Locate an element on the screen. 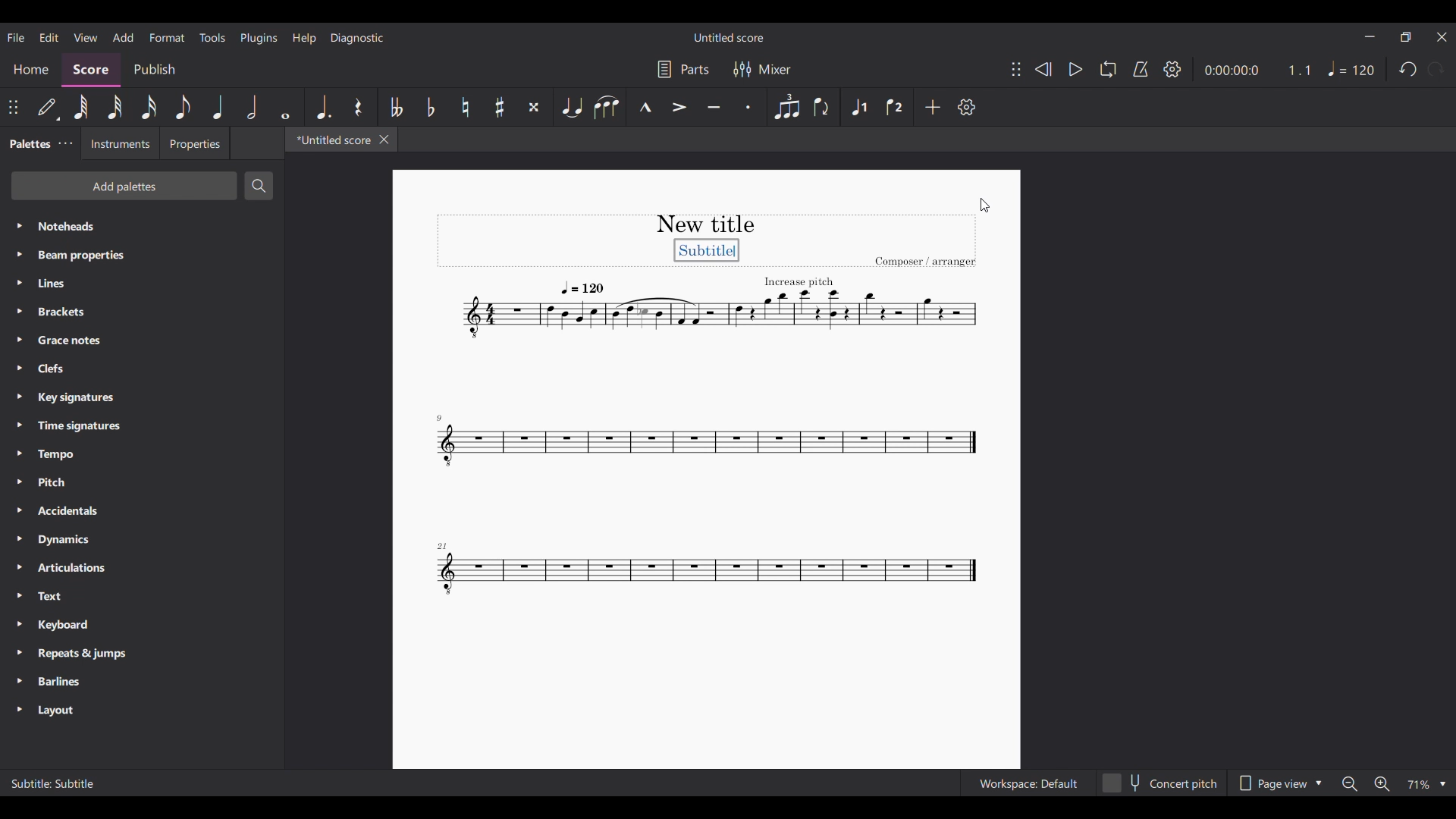 This screenshot has width=1456, height=819. Close interface is located at coordinates (1442, 38).